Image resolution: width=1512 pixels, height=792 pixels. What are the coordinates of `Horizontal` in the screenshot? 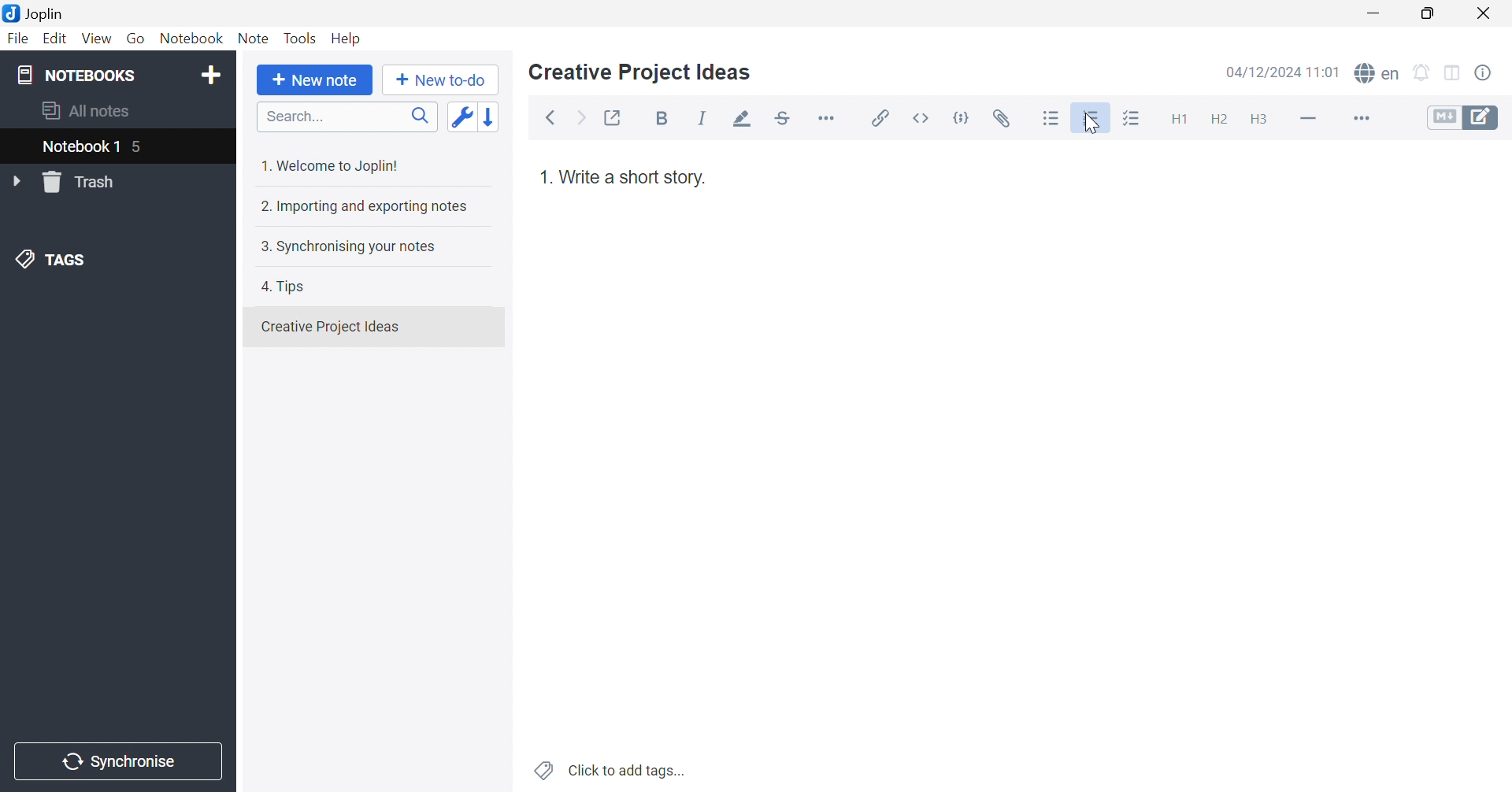 It's located at (831, 119).